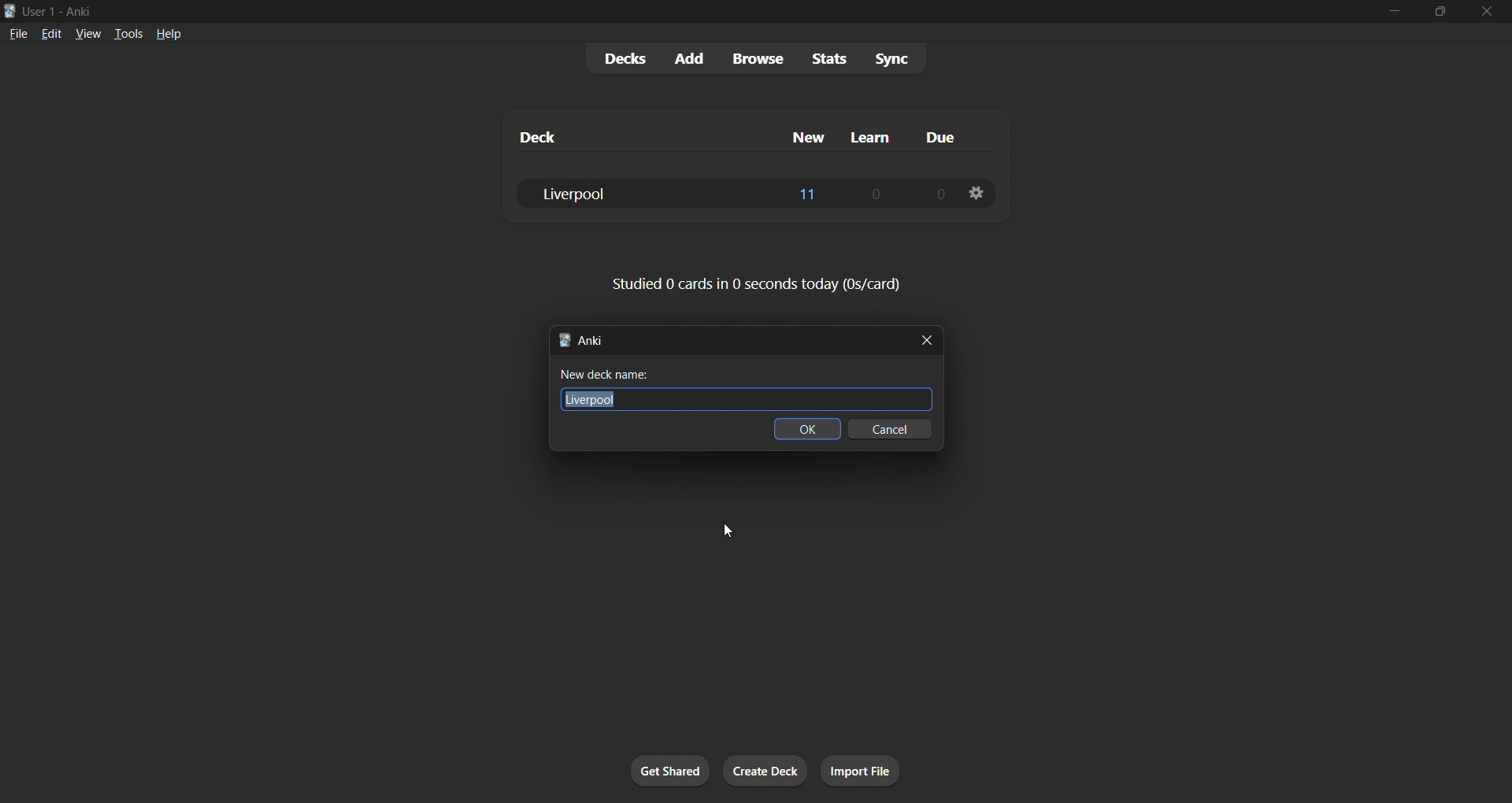 The width and height of the screenshot is (1512, 803). I want to click on learn column, so click(873, 136).